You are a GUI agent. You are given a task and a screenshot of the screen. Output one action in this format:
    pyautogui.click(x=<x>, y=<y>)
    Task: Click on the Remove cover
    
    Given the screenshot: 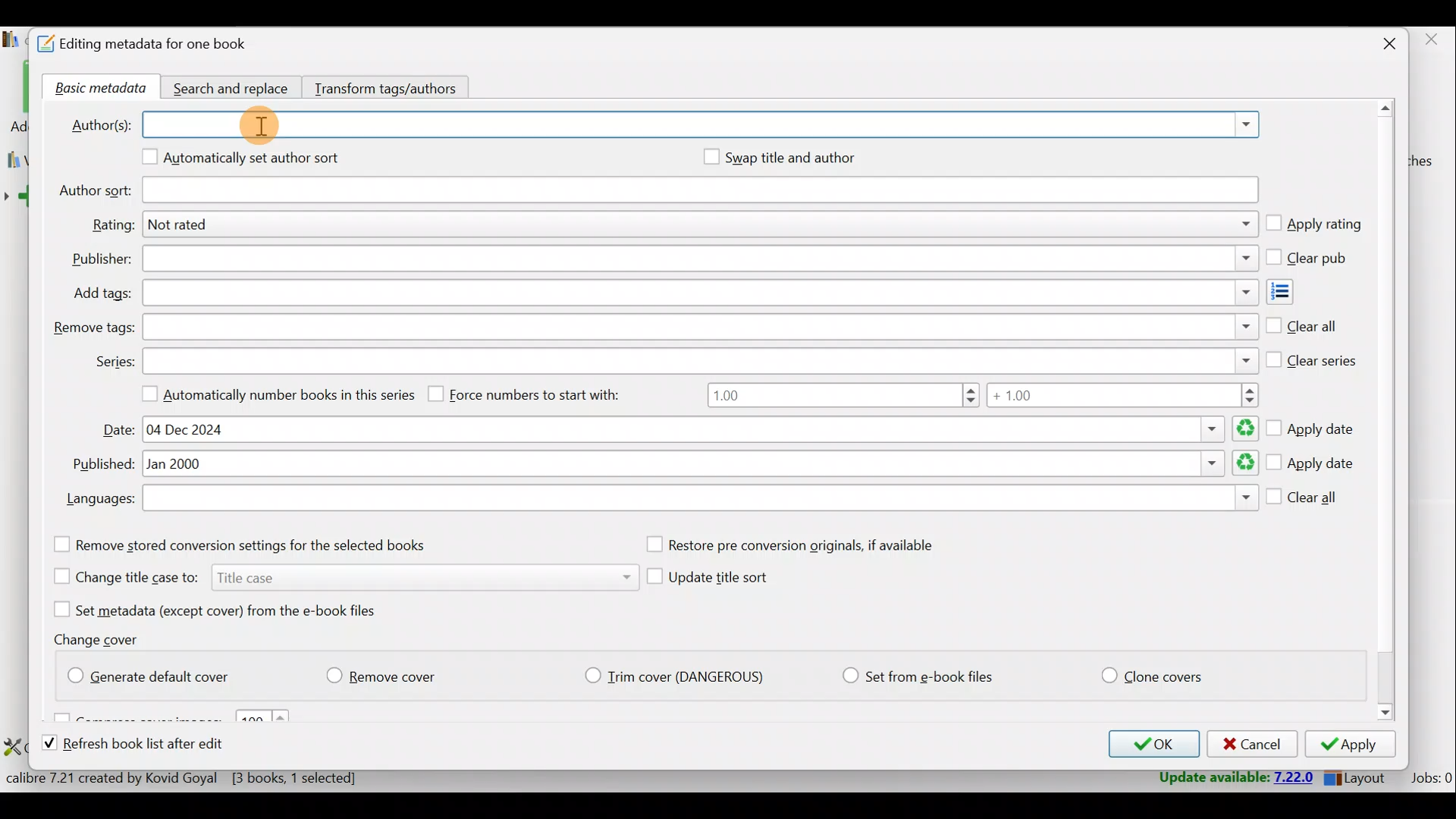 What is the action you would take?
    pyautogui.click(x=391, y=673)
    